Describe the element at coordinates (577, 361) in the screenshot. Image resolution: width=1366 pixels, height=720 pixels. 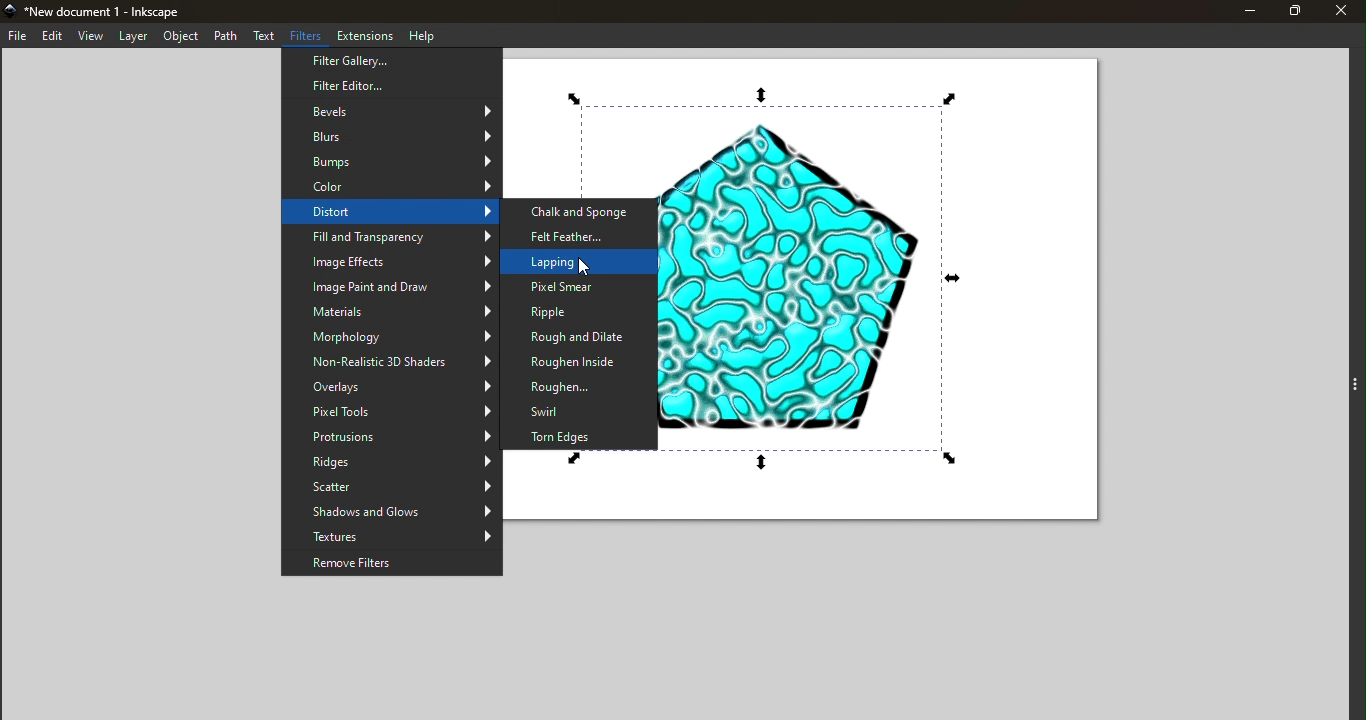
I see `Roughen Inside` at that location.